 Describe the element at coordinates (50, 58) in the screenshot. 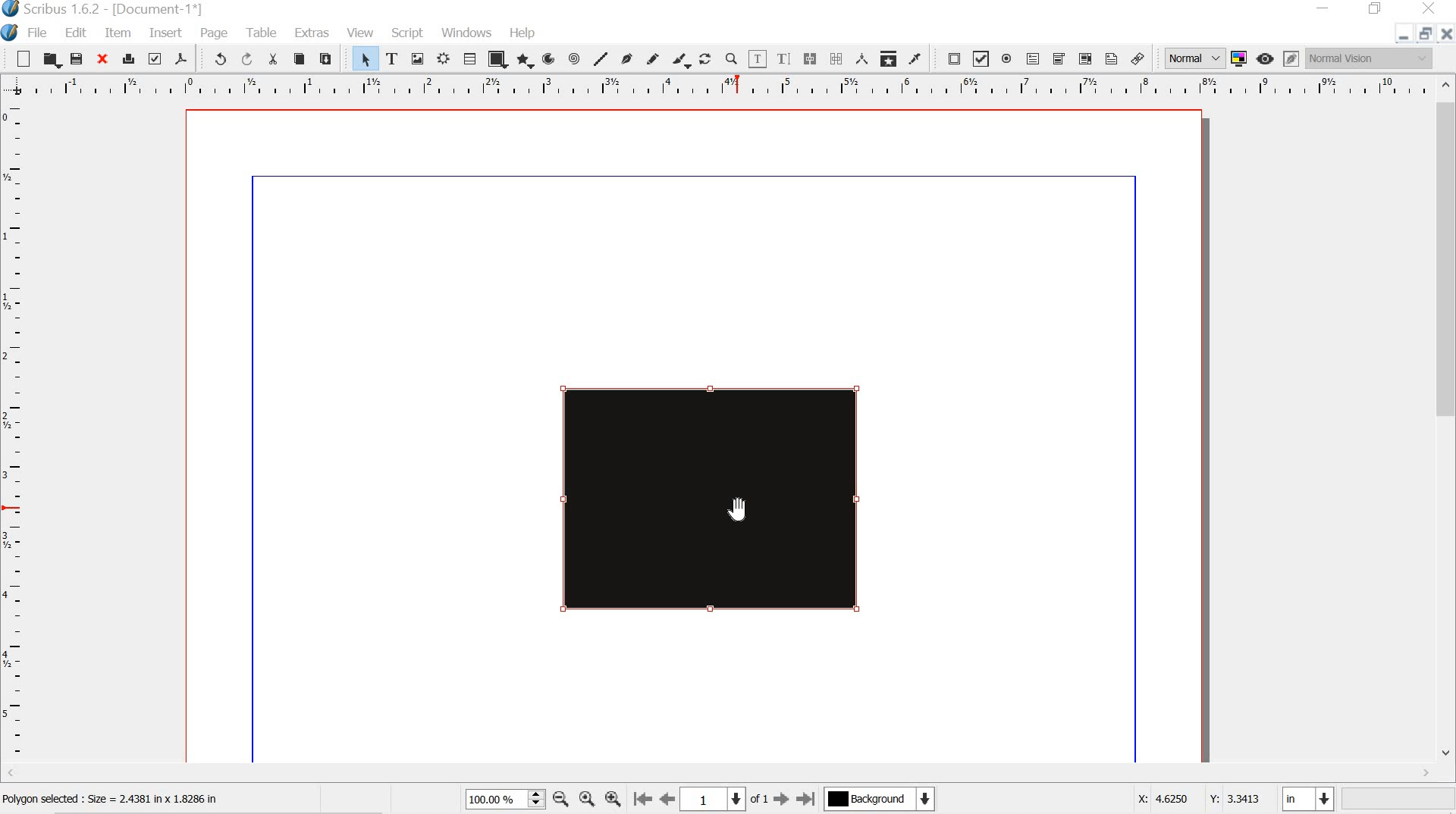

I see `open` at that location.